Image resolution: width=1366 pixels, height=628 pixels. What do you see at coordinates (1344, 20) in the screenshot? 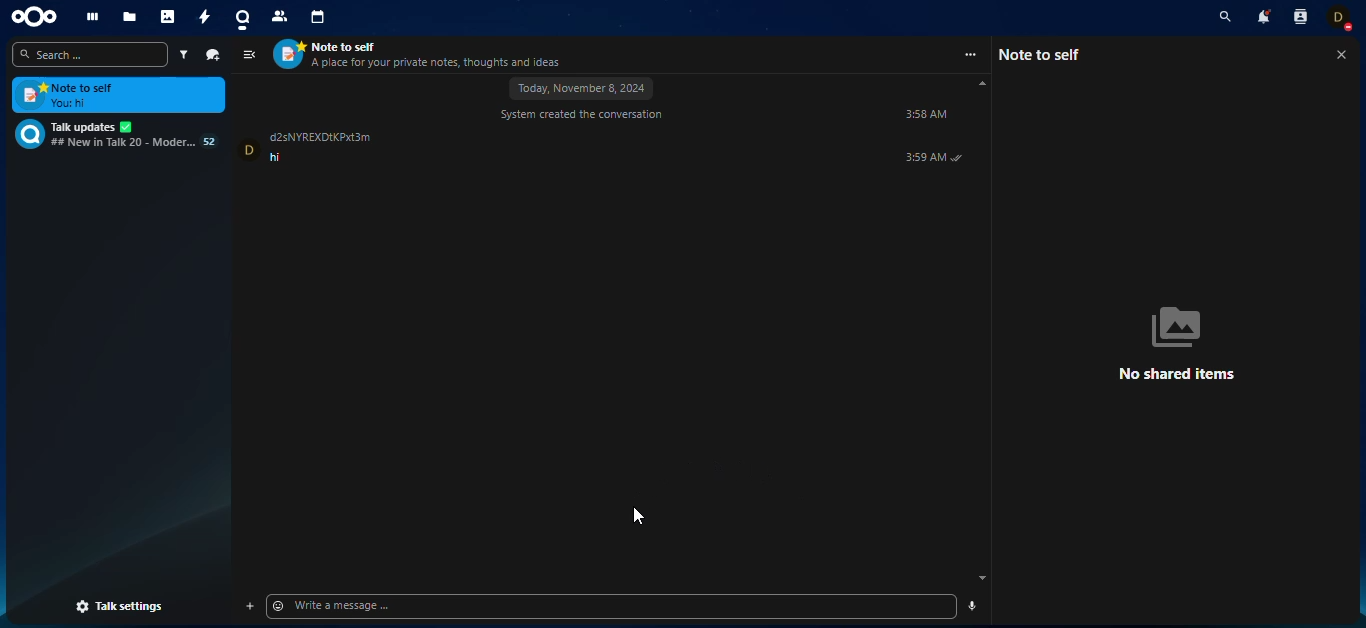
I see `account` at bounding box center [1344, 20].